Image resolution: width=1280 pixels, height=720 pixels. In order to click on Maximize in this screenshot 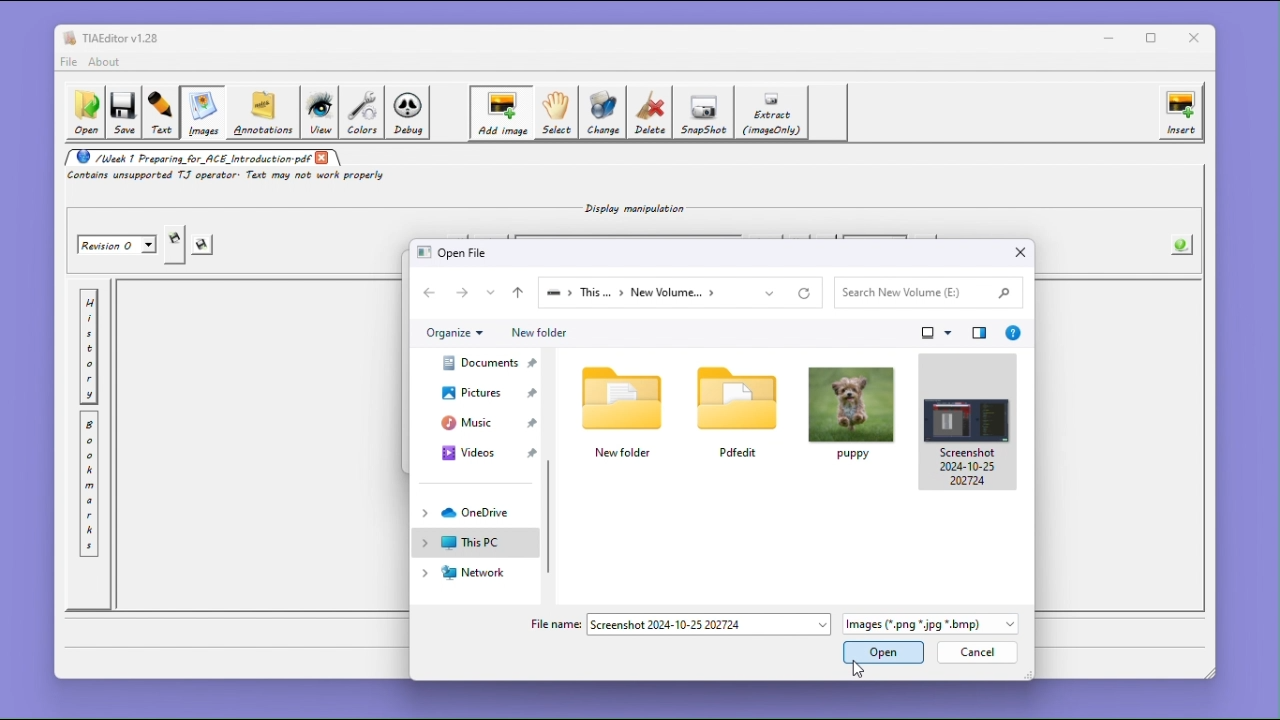, I will do `click(1155, 38)`.